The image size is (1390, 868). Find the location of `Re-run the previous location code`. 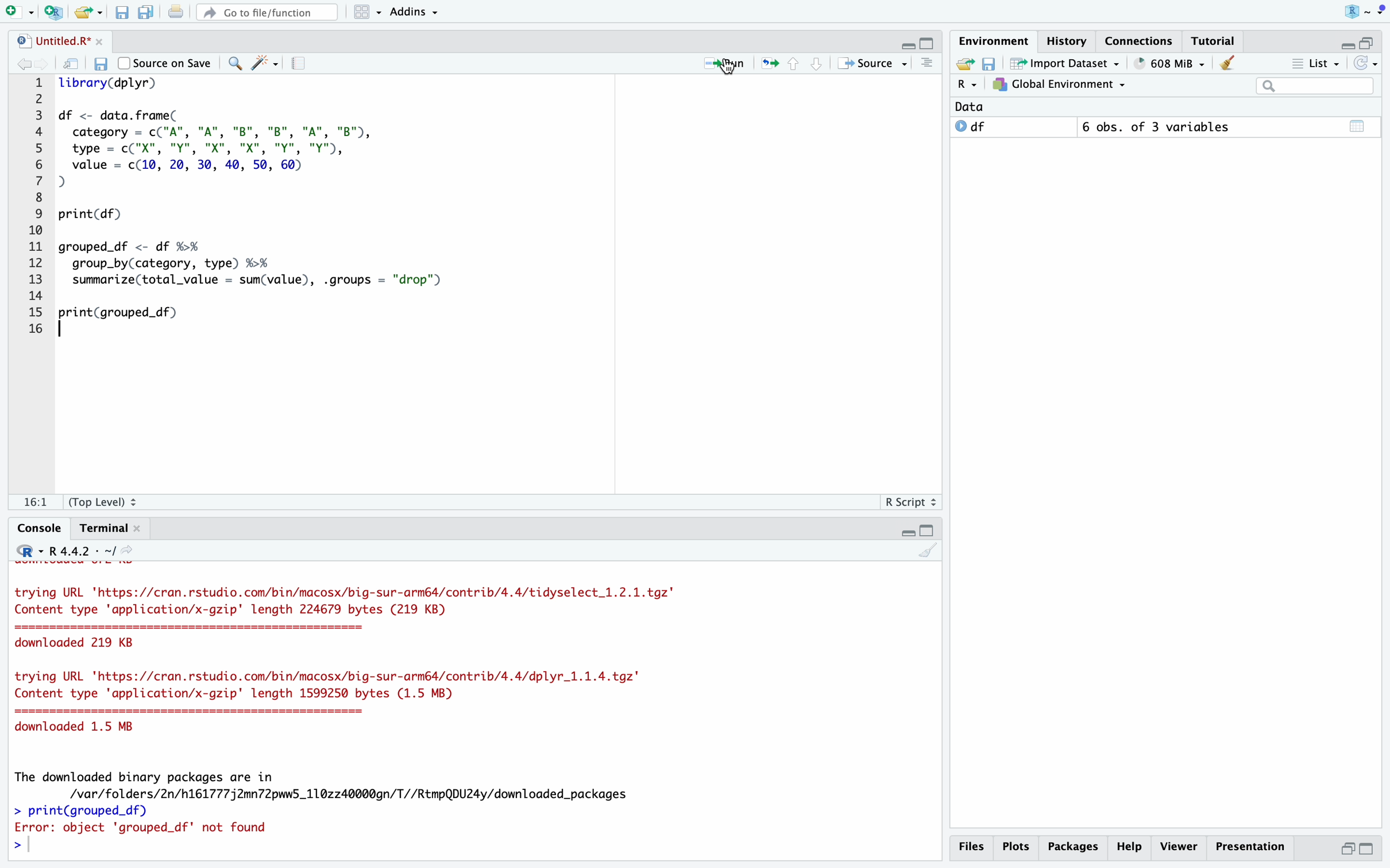

Re-run the previous location code is located at coordinates (769, 63).